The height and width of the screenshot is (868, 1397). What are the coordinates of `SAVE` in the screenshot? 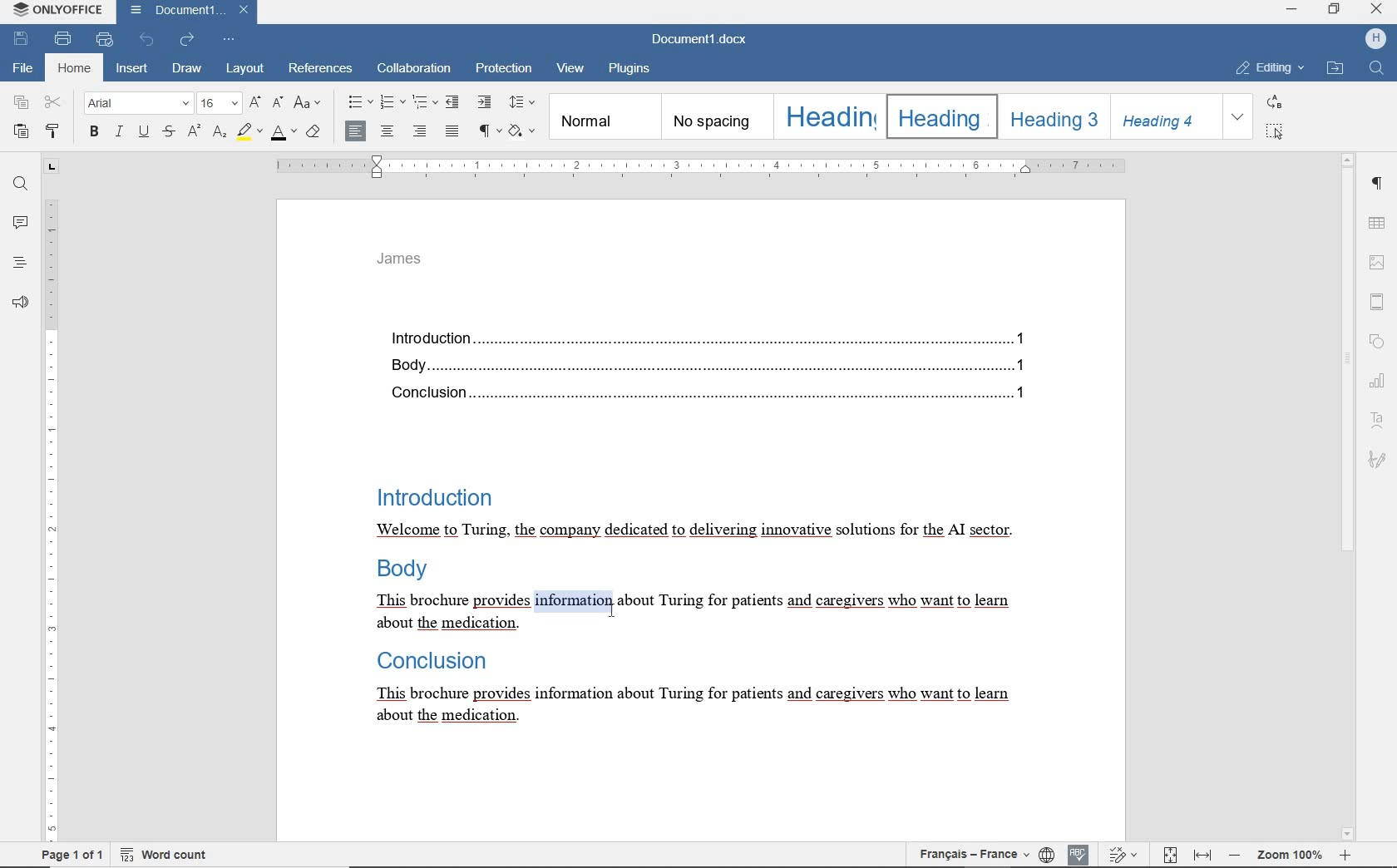 It's located at (22, 39).